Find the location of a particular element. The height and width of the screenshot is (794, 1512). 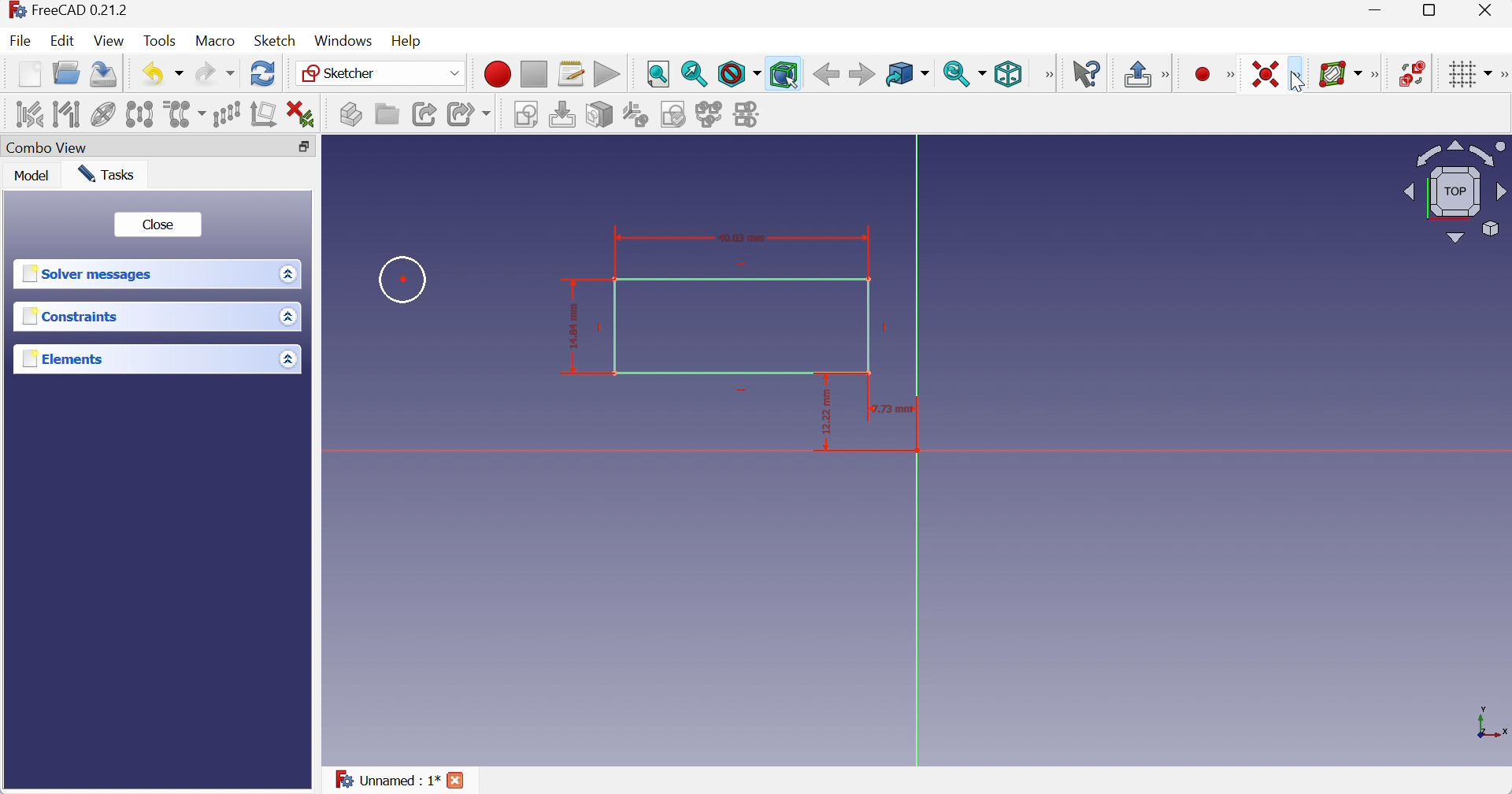

Save is located at coordinates (102, 75).